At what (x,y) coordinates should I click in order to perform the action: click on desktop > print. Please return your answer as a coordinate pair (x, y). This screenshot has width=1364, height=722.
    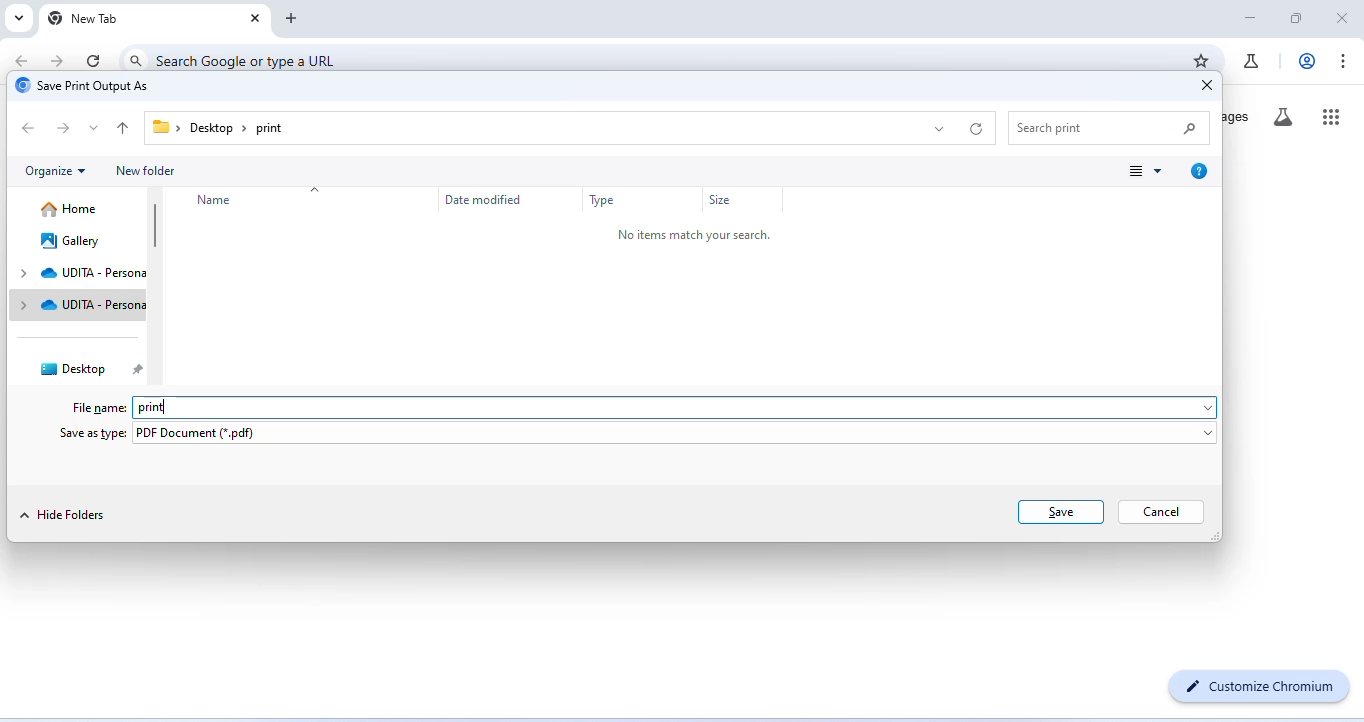
    Looking at the image, I should click on (220, 127).